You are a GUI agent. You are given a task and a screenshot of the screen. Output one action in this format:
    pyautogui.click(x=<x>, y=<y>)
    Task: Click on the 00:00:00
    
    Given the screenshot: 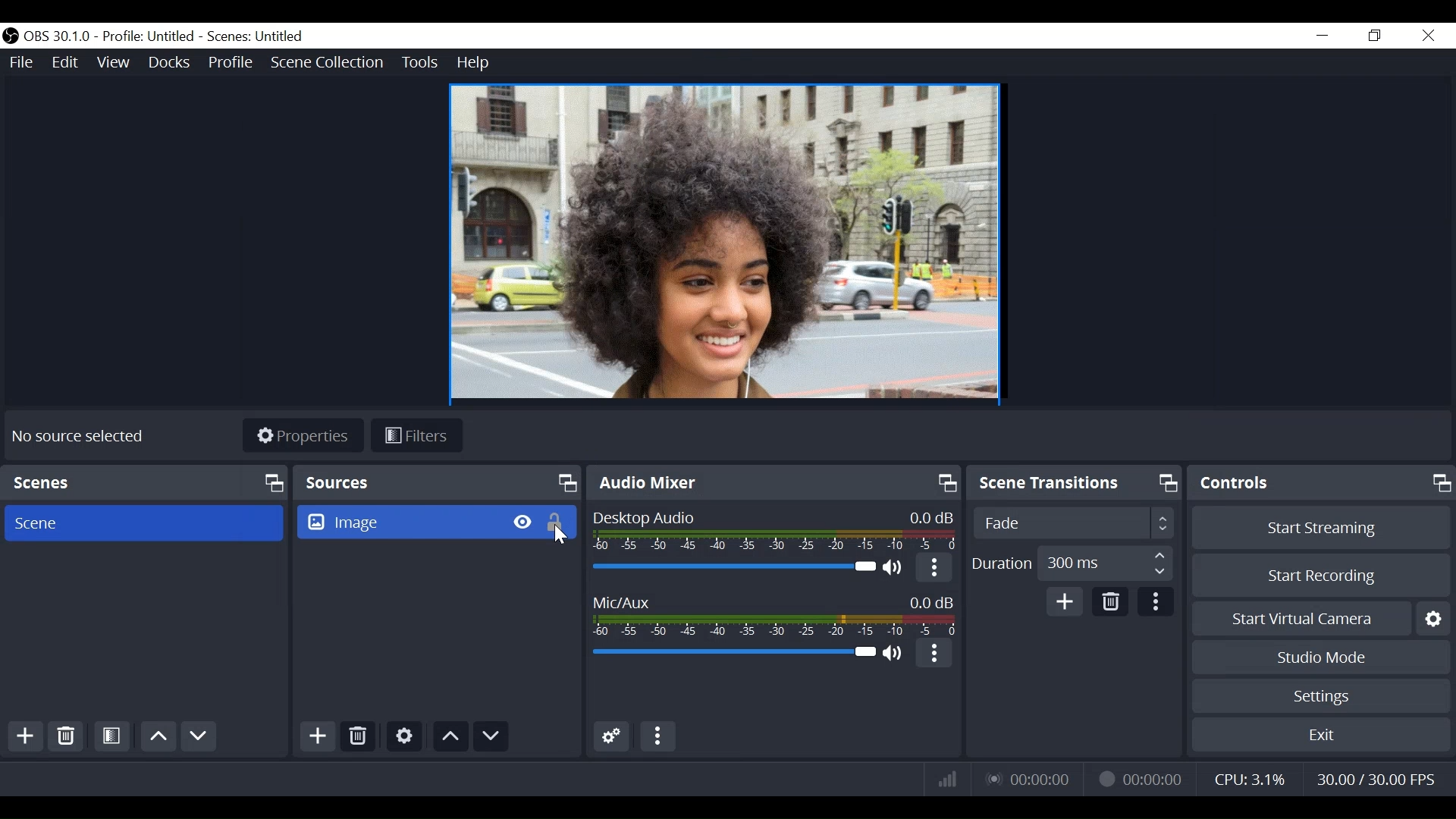 What is the action you would take?
    pyautogui.click(x=1031, y=779)
    